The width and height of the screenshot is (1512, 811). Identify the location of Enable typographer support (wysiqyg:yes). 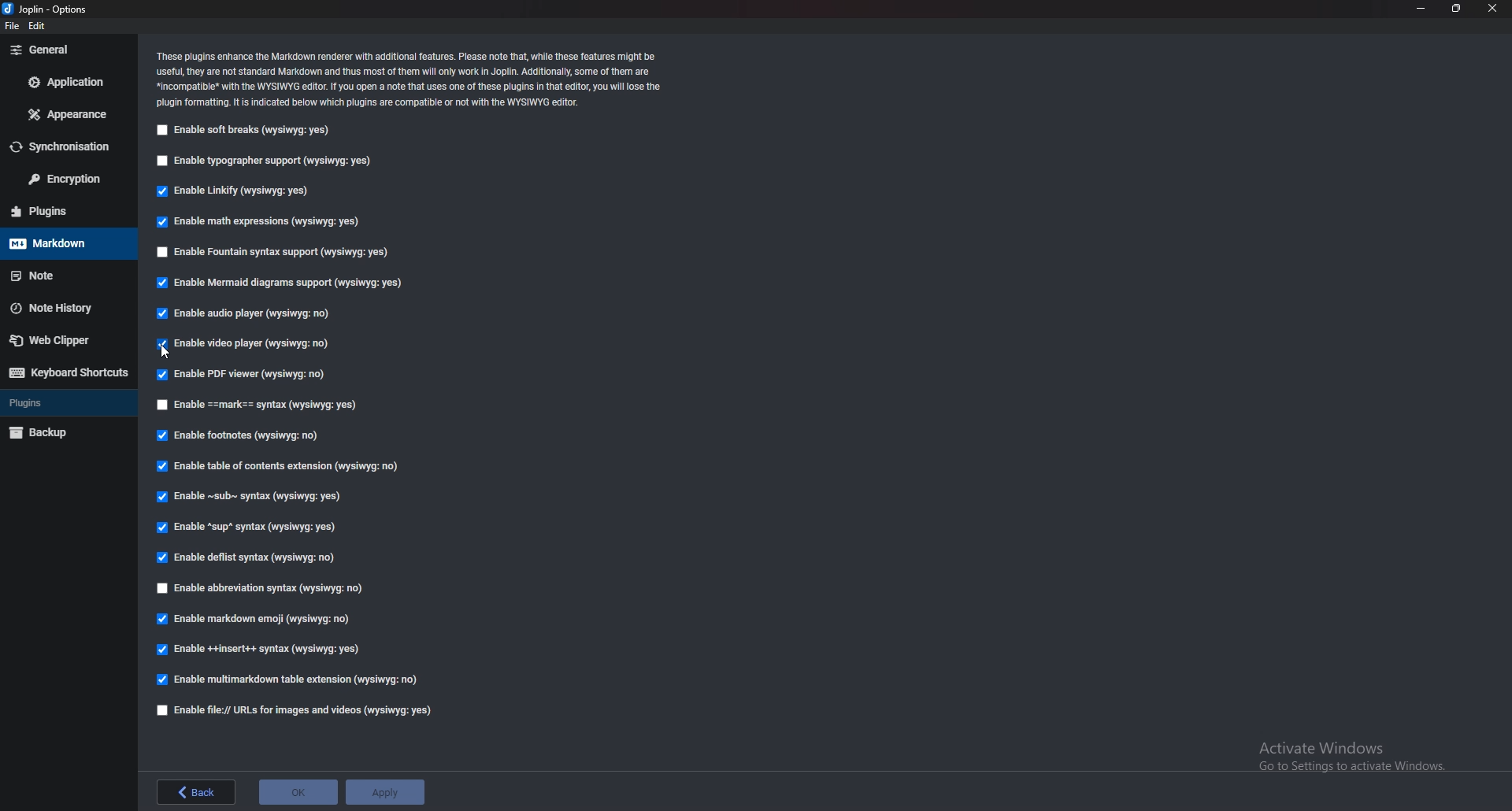
(266, 161).